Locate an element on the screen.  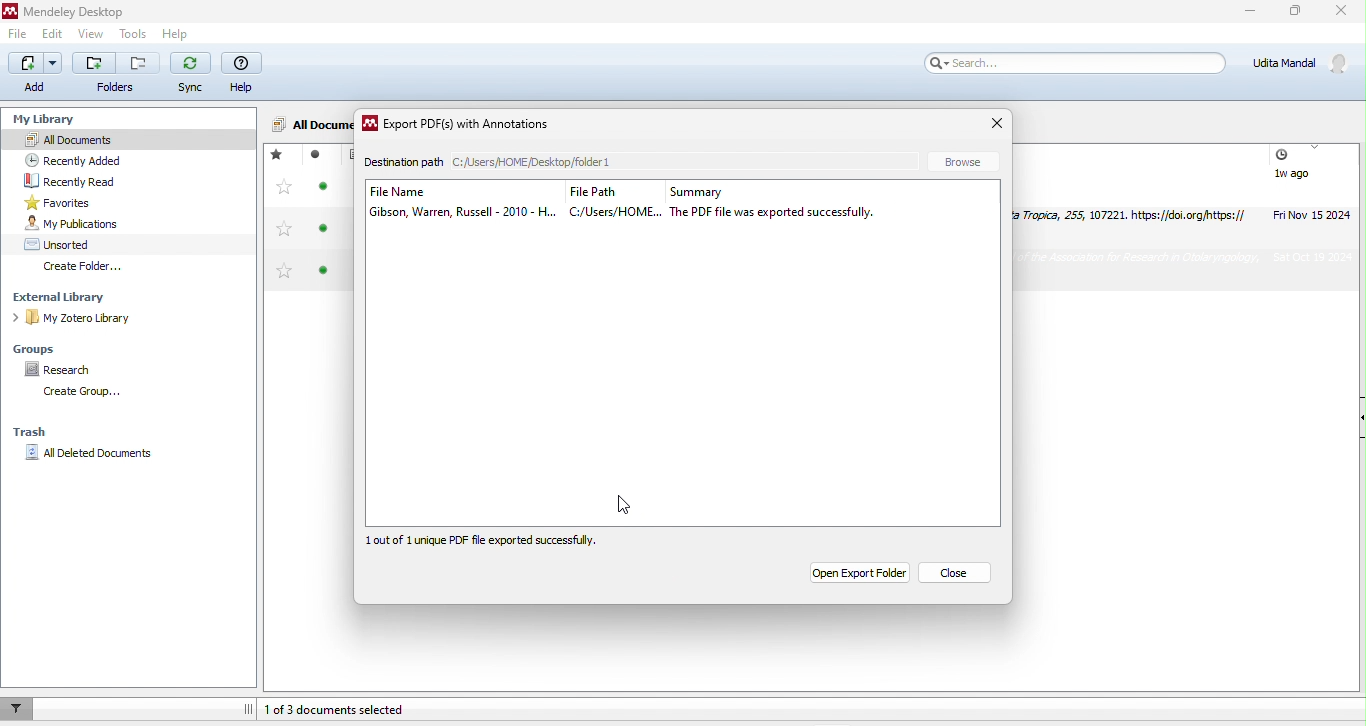
view is located at coordinates (94, 33).